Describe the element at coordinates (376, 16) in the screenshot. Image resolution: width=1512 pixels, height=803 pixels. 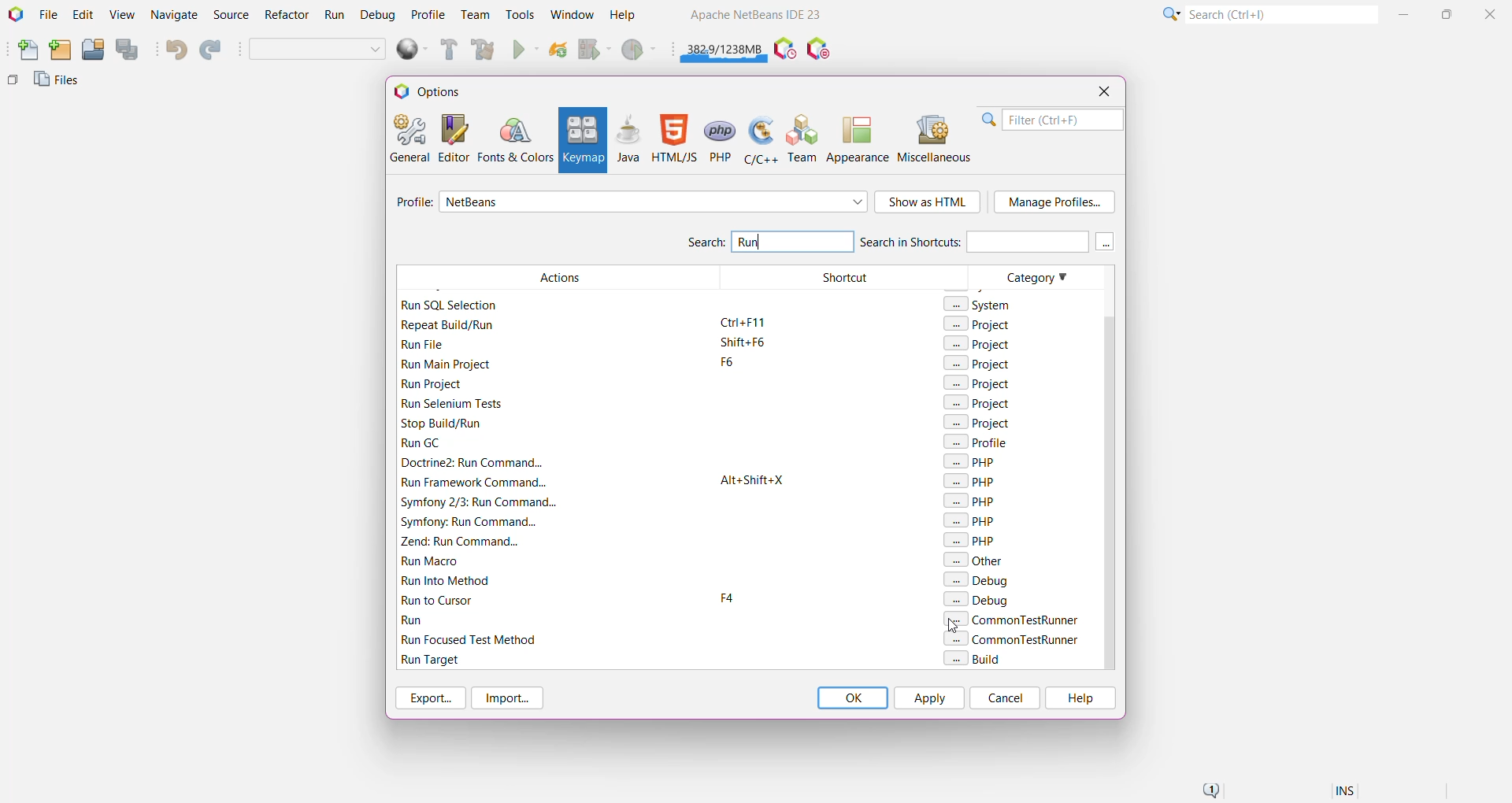
I see `Debug ` at that location.